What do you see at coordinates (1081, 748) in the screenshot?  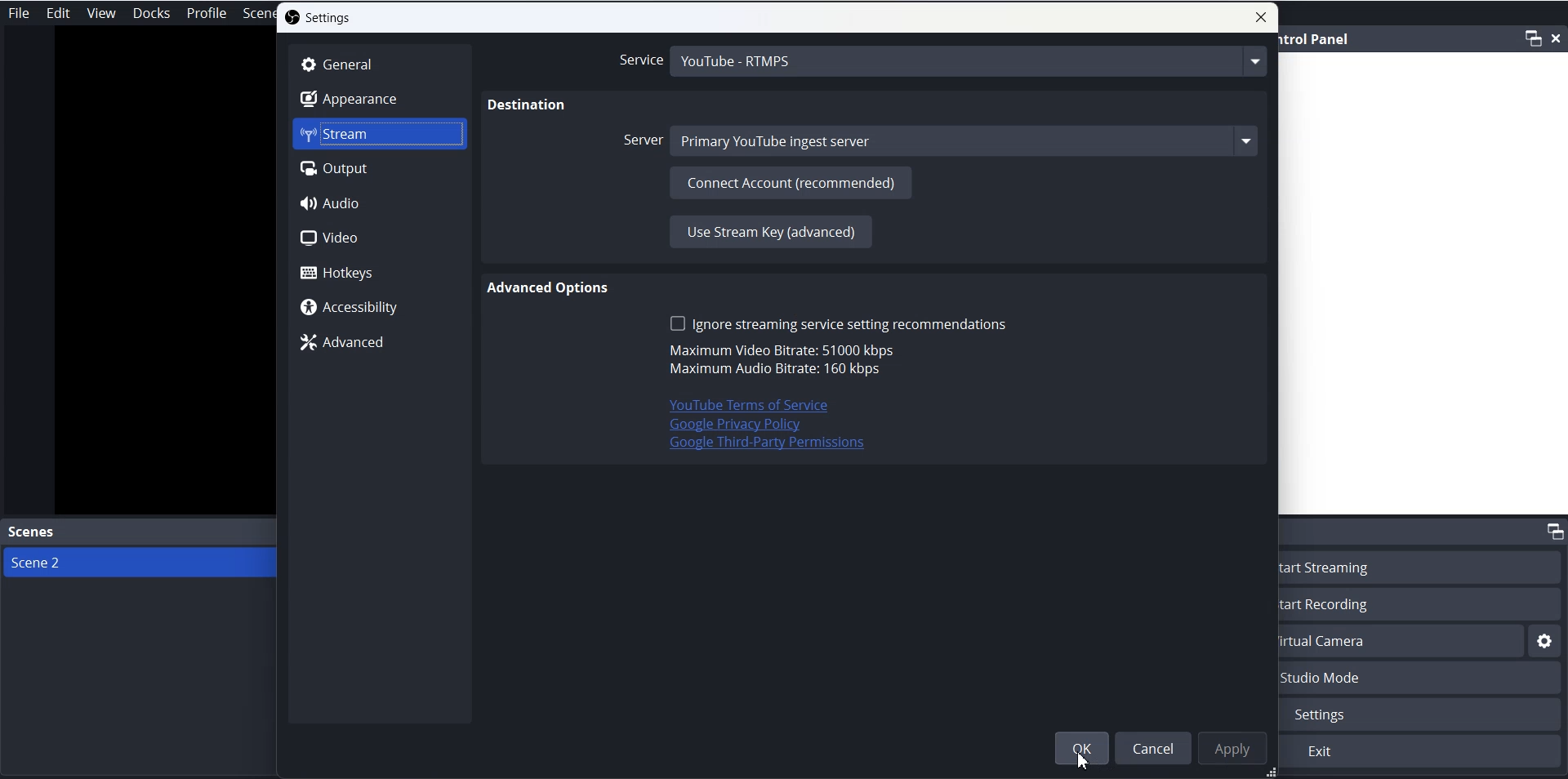 I see `OK` at bounding box center [1081, 748].